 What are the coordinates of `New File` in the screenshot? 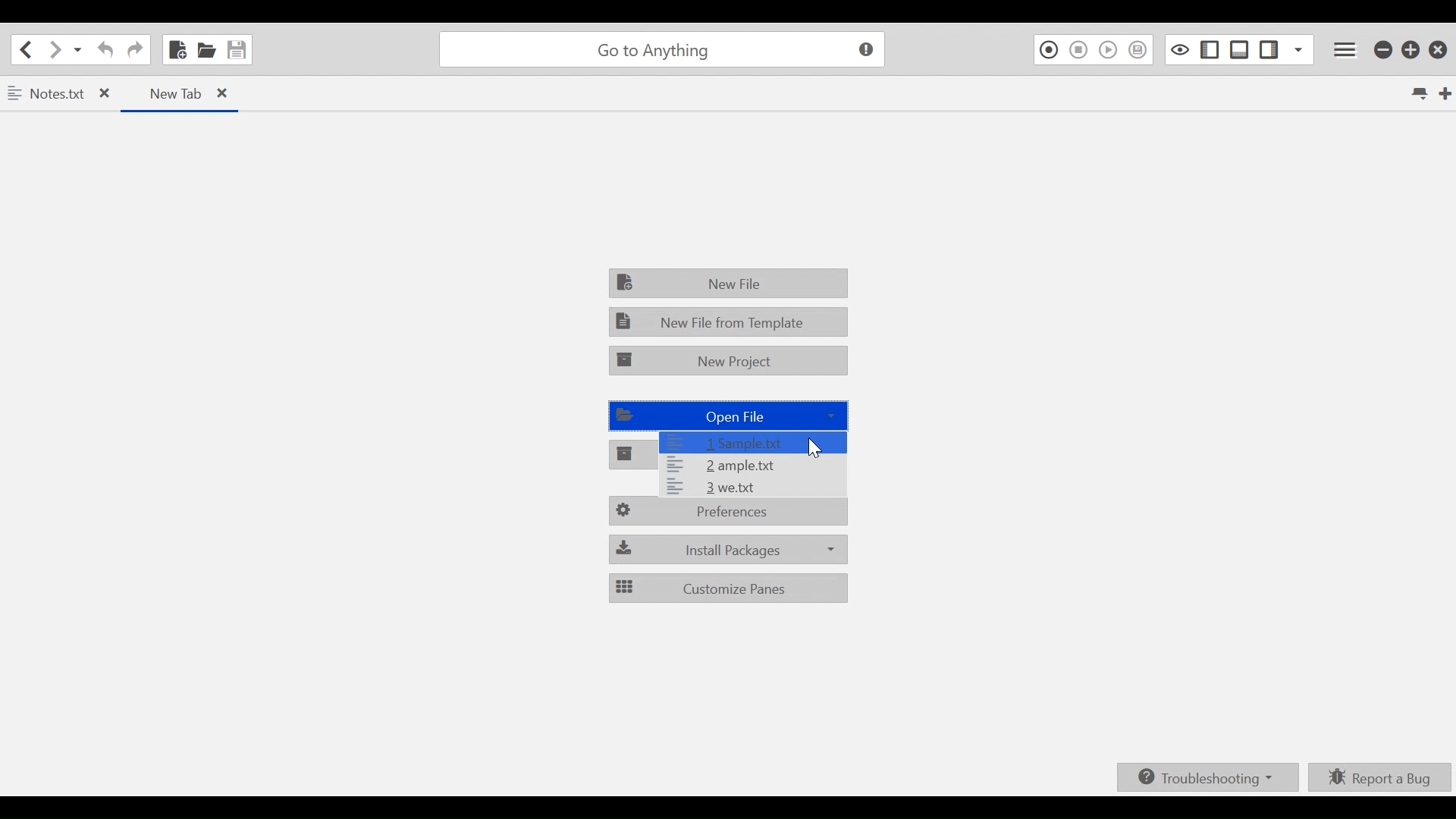 It's located at (729, 283).